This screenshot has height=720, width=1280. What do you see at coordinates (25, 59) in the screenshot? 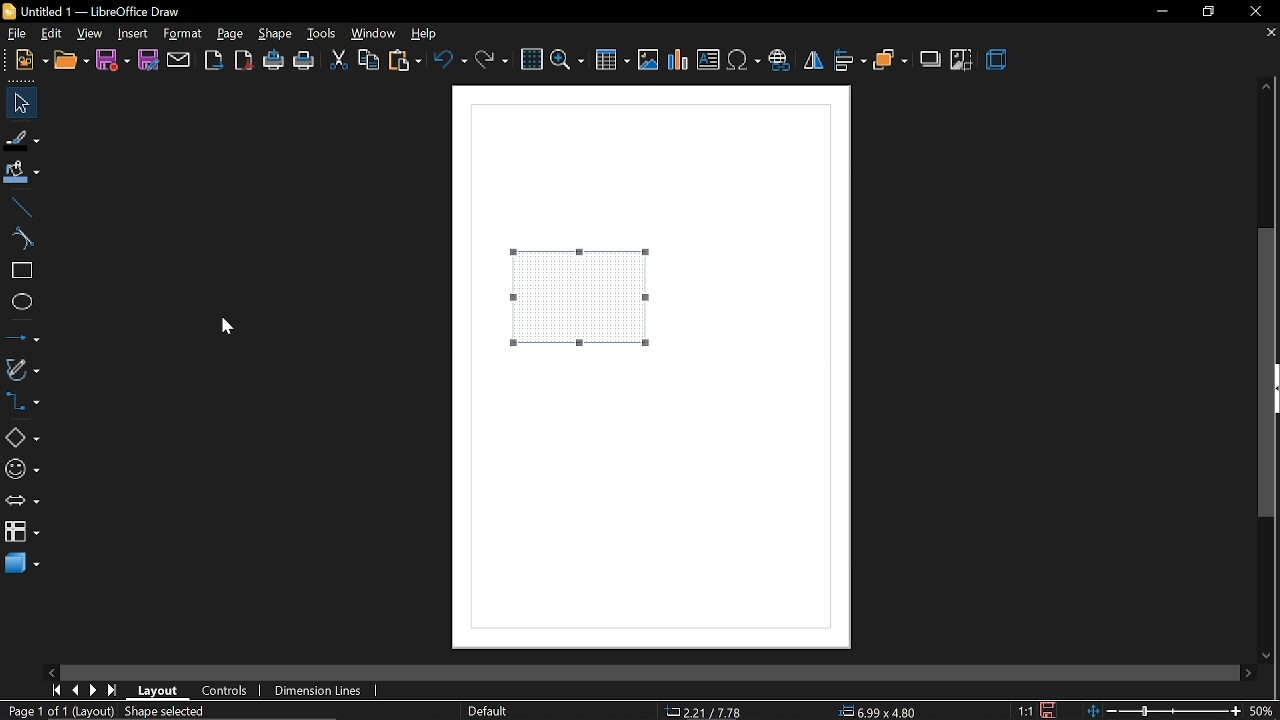
I see `New` at bounding box center [25, 59].